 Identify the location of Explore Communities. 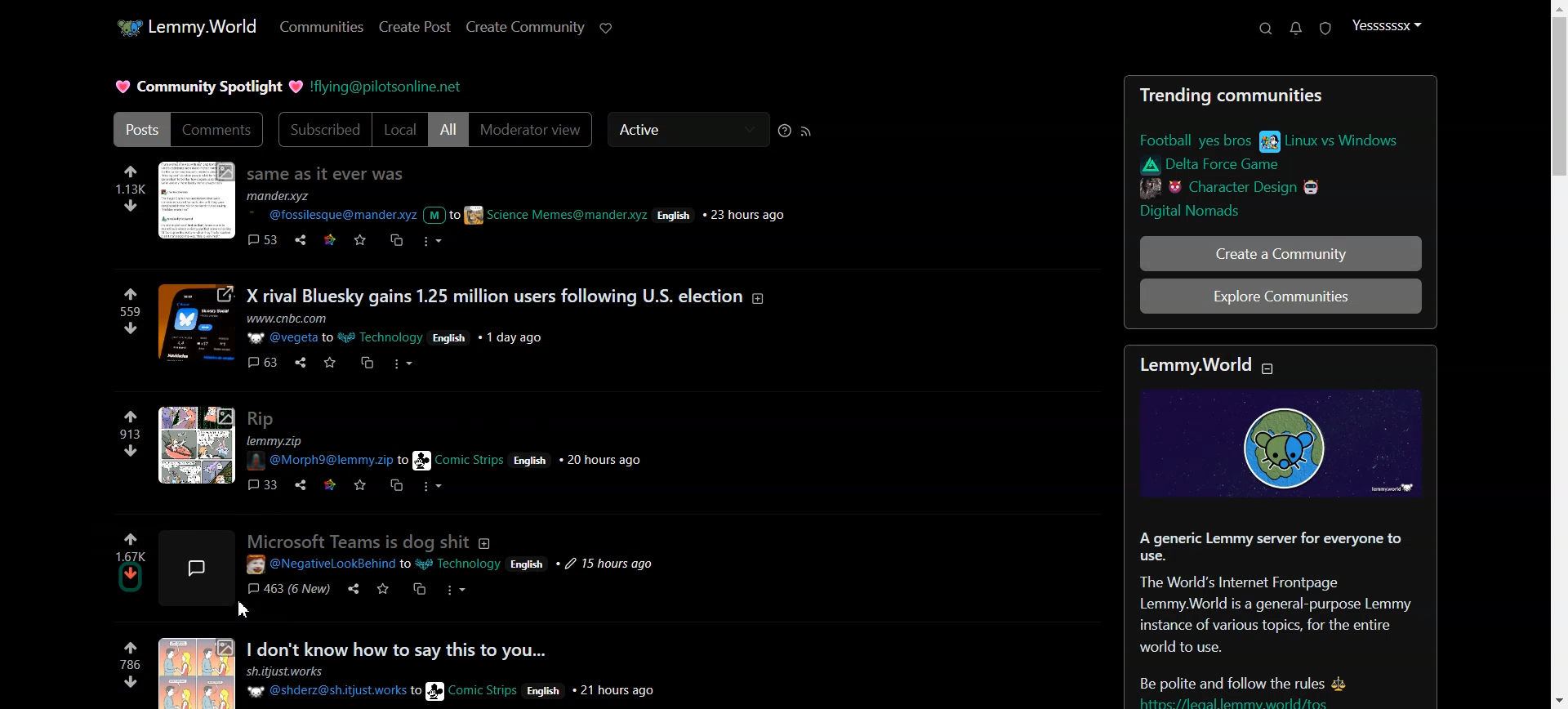
(1279, 297).